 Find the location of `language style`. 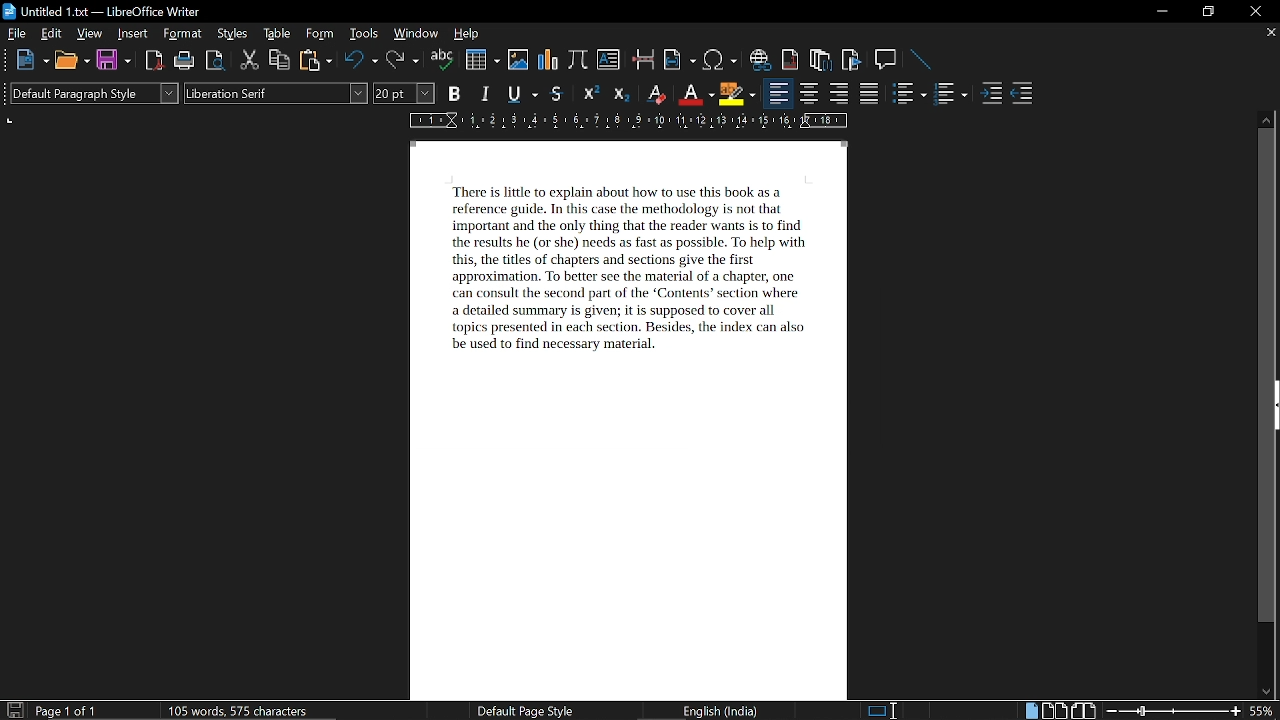

language style is located at coordinates (724, 711).